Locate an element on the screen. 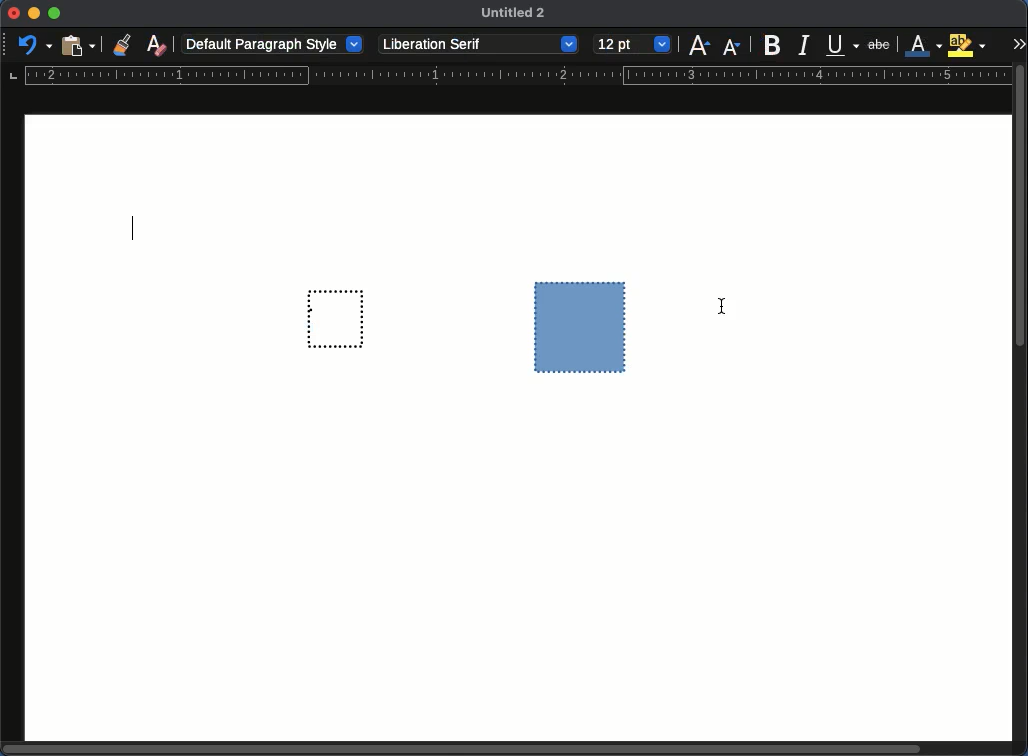 The width and height of the screenshot is (1028, 756). font color is located at coordinates (924, 45).